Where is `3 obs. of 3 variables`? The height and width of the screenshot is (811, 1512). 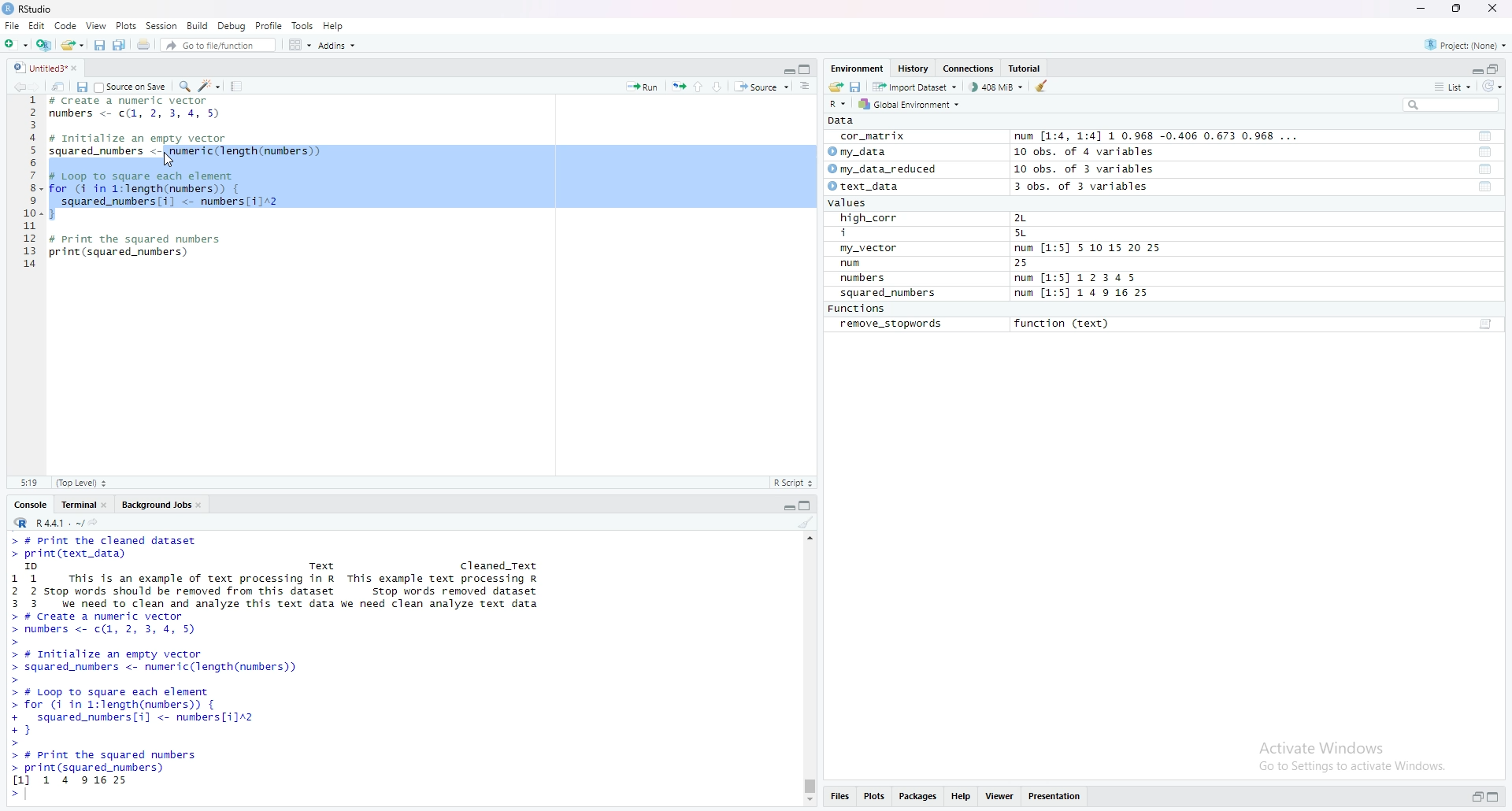 3 obs. of 3 variables is located at coordinates (1091, 187).